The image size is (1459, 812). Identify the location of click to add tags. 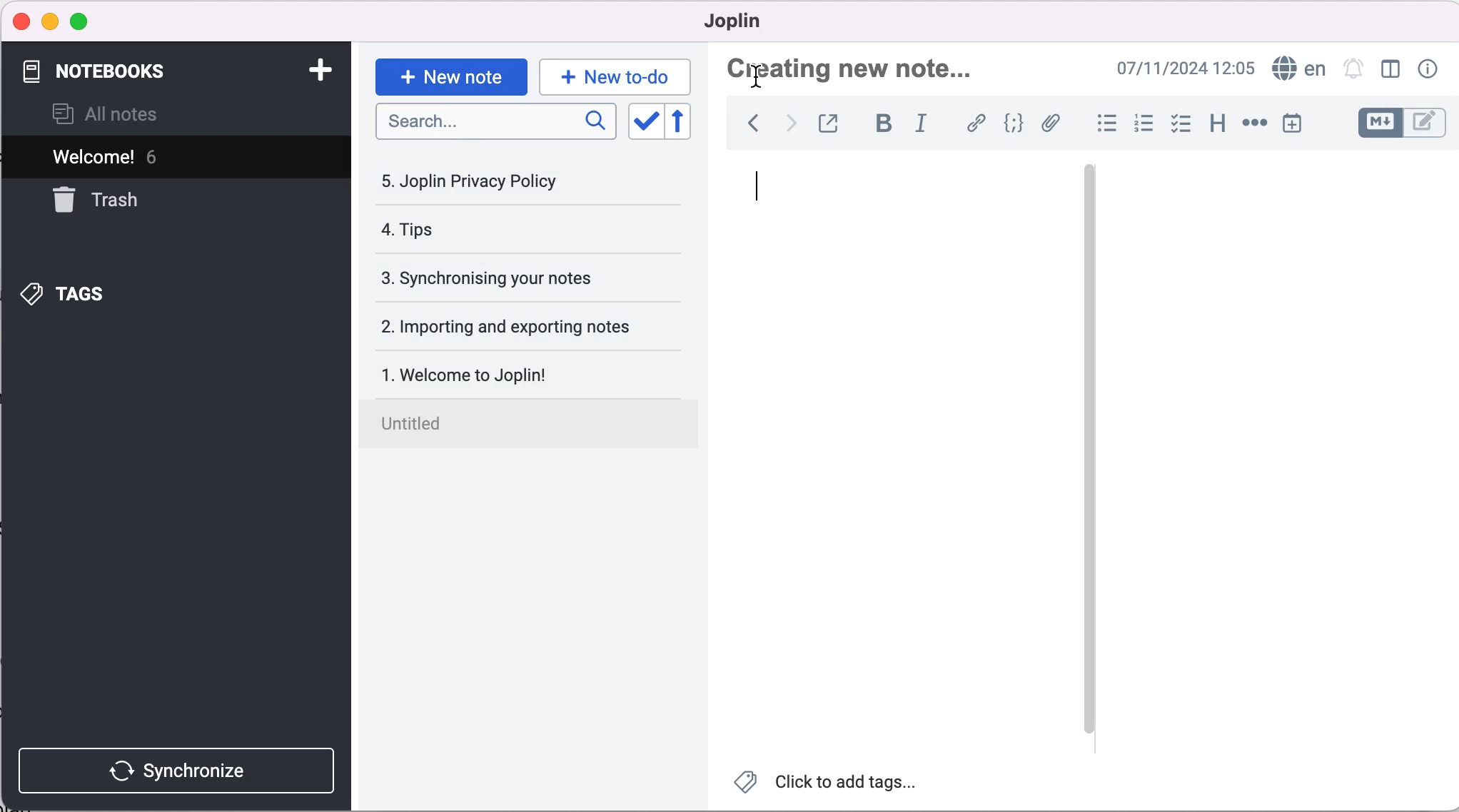
(827, 785).